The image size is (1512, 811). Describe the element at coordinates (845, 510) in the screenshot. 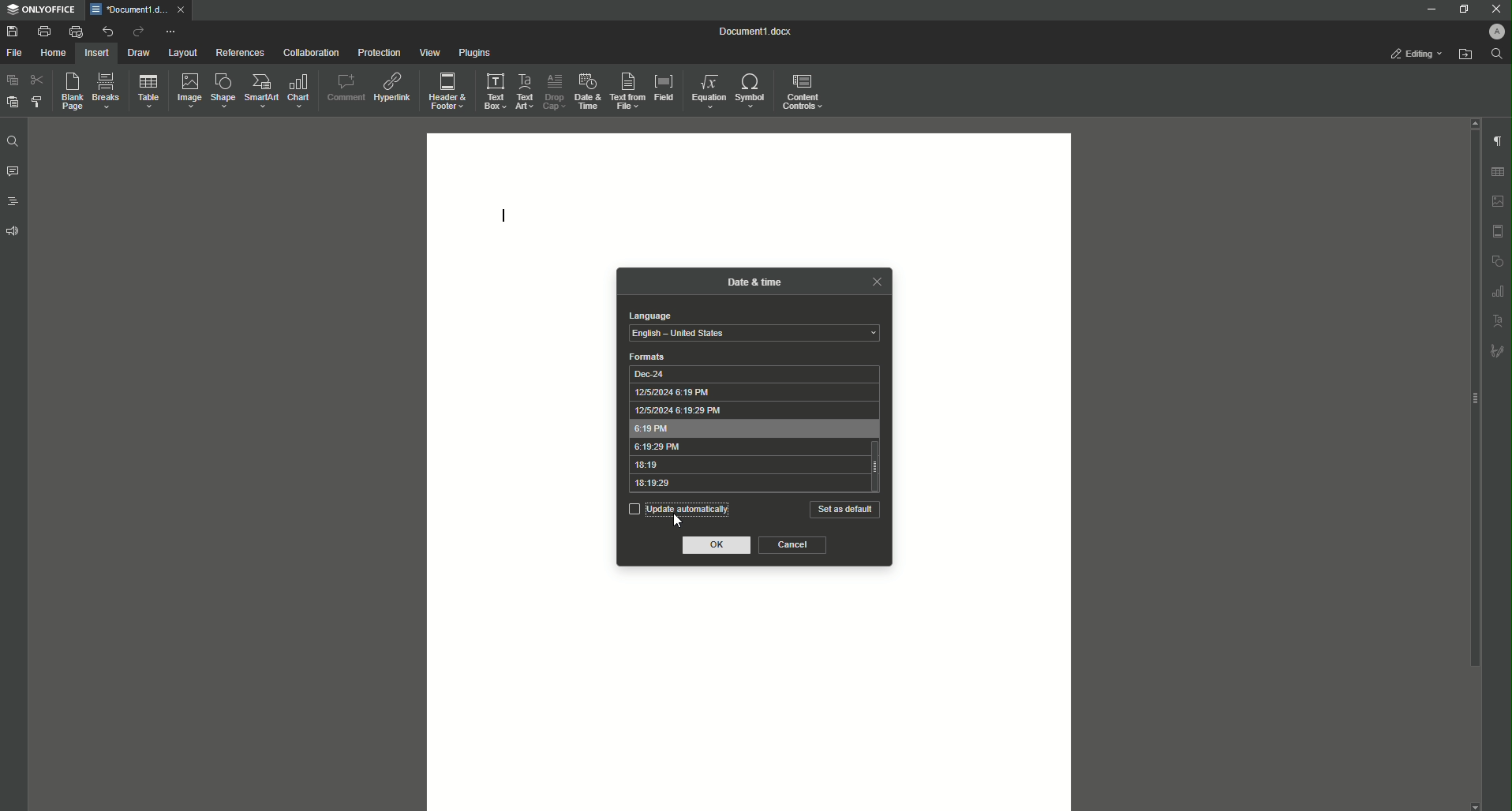

I see `Set as default` at that location.